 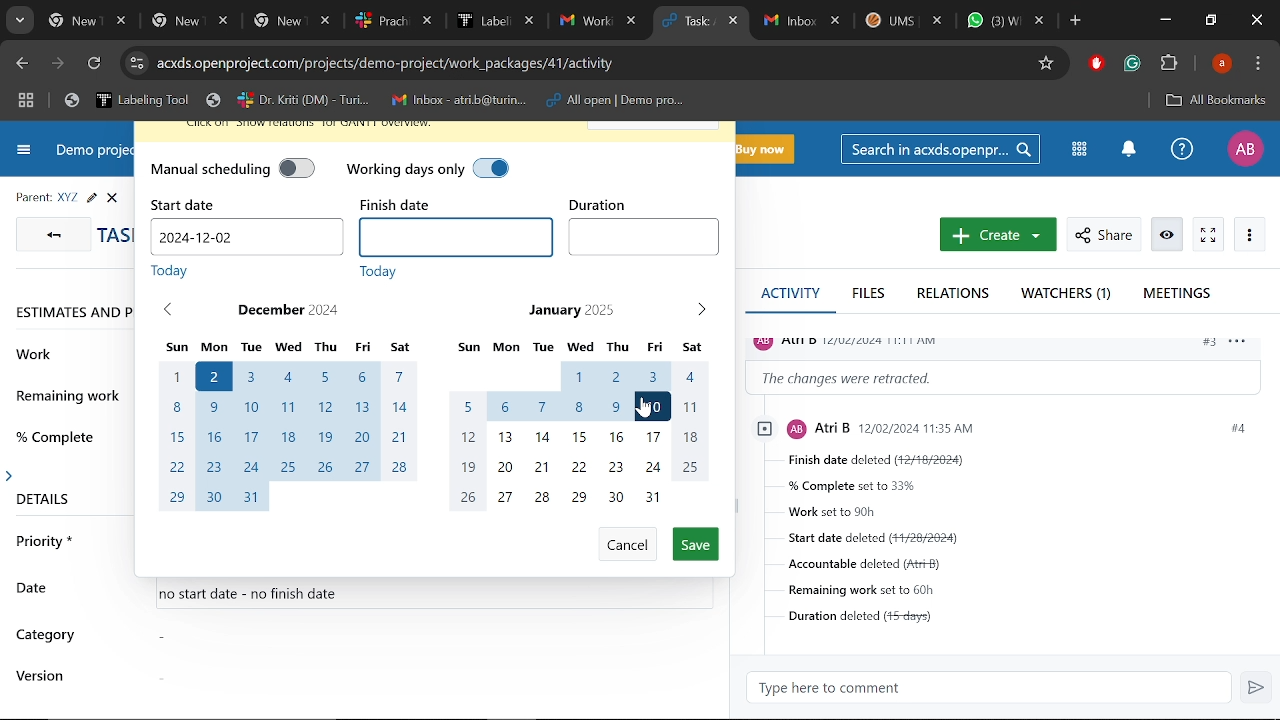 What do you see at coordinates (182, 203) in the screenshot?
I see `start date` at bounding box center [182, 203].